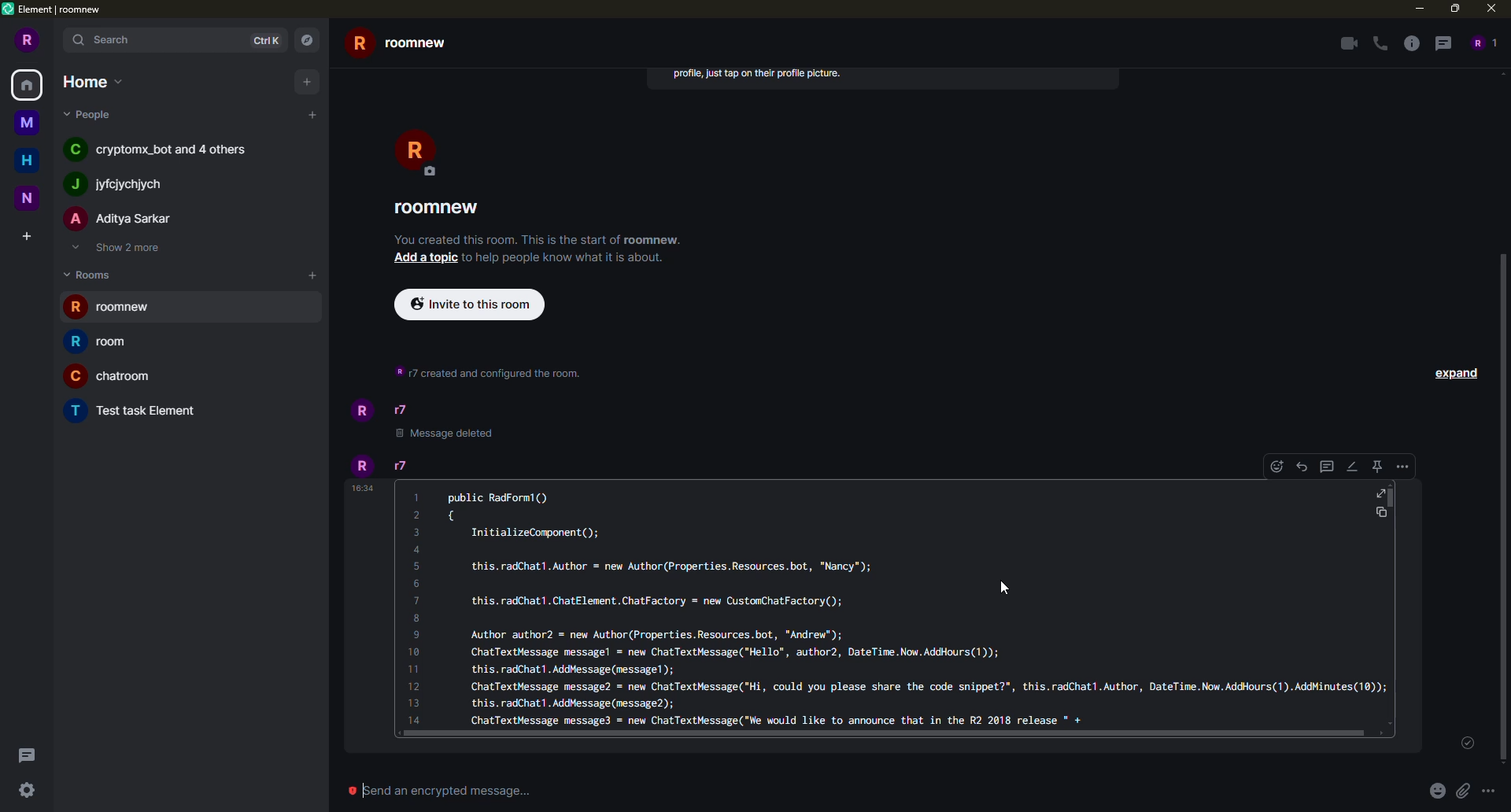 This screenshot has width=1511, height=812. What do you see at coordinates (91, 113) in the screenshot?
I see `people` at bounding box center [91, 113].